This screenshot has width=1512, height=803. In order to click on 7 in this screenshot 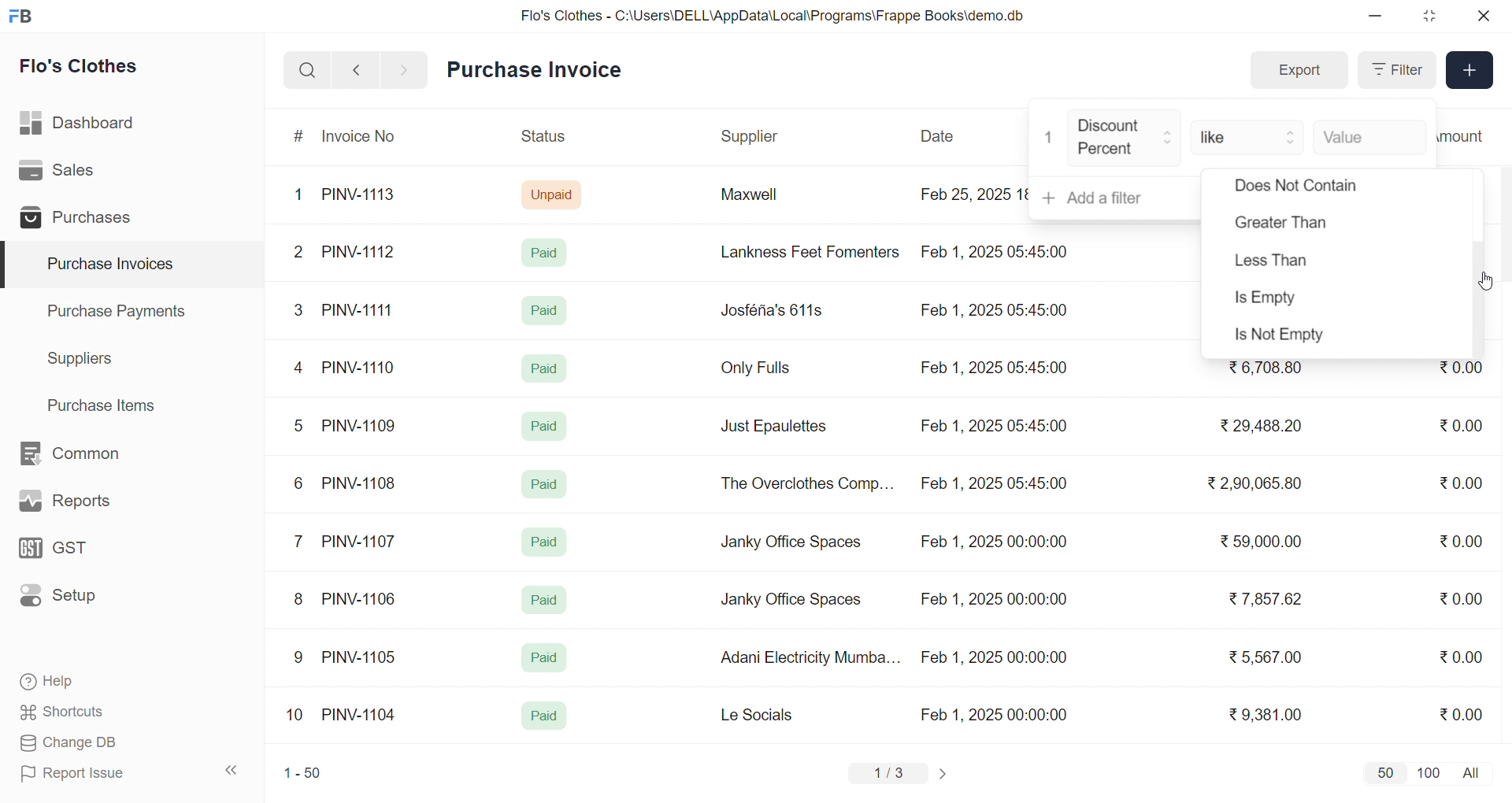, I will do `click(302, 540)`.